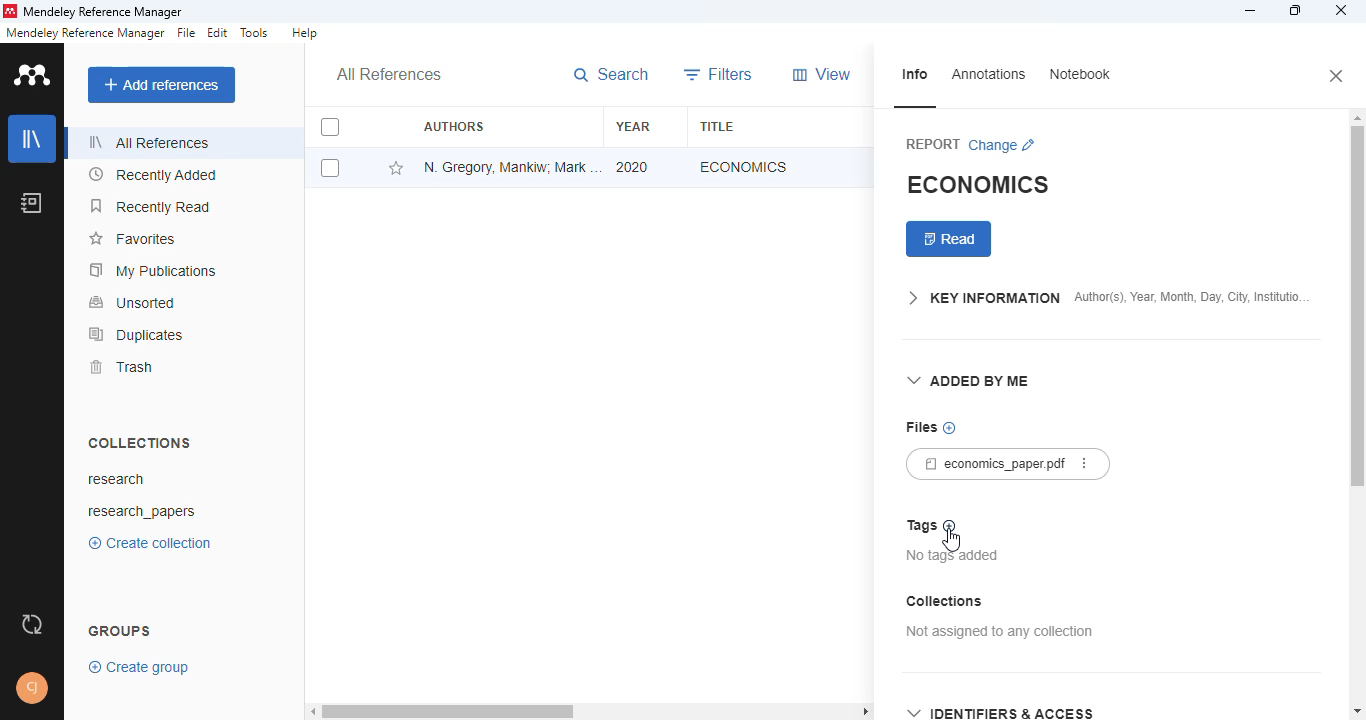 The image size is (1366, 720). I want to click on key information author(s), year, month, day, city, institution, so click(1108, 300).